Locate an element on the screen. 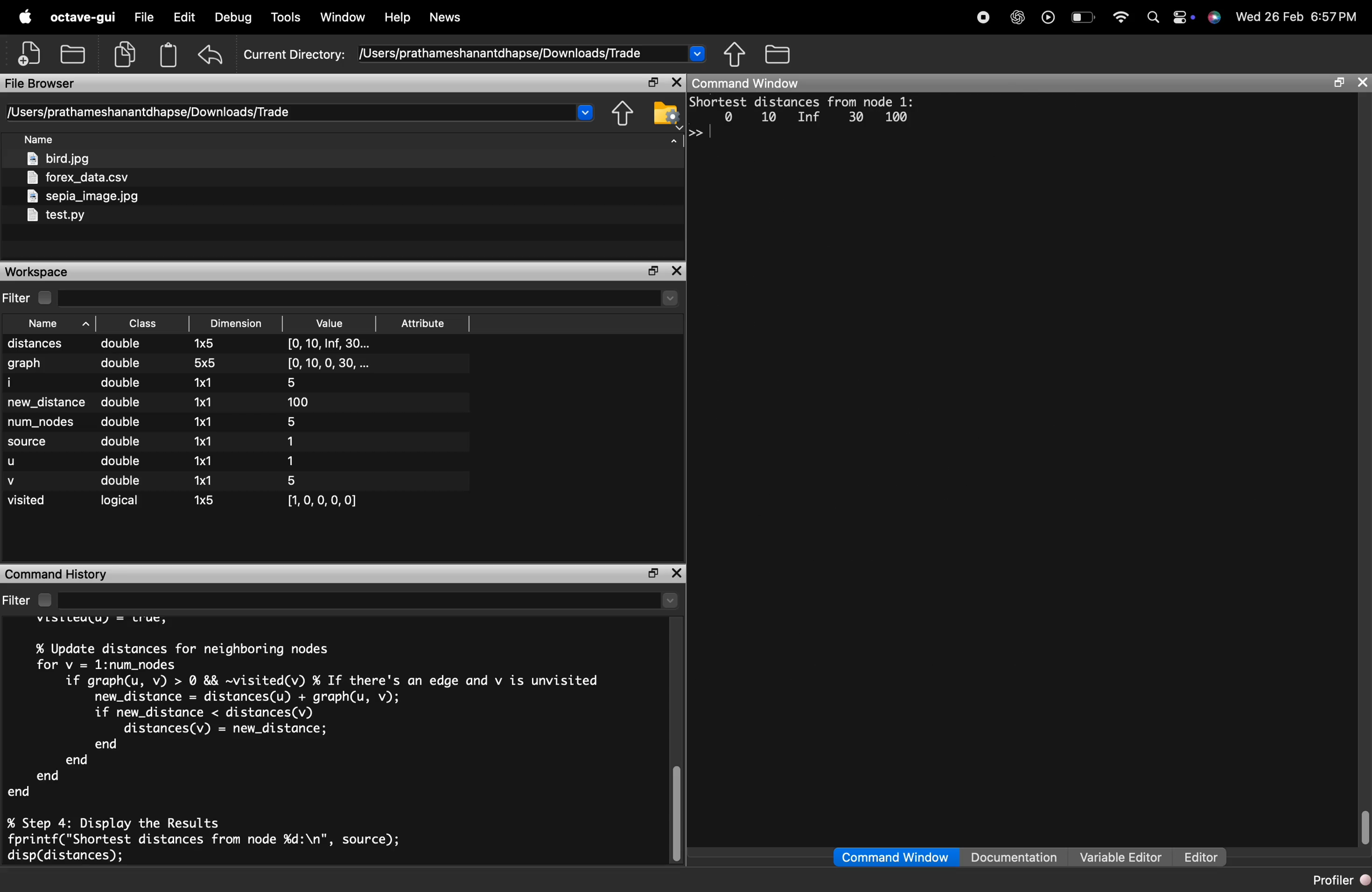 The width and height of the screenshot is (1372, 892). sort by class is located at coordinates (145, 324).